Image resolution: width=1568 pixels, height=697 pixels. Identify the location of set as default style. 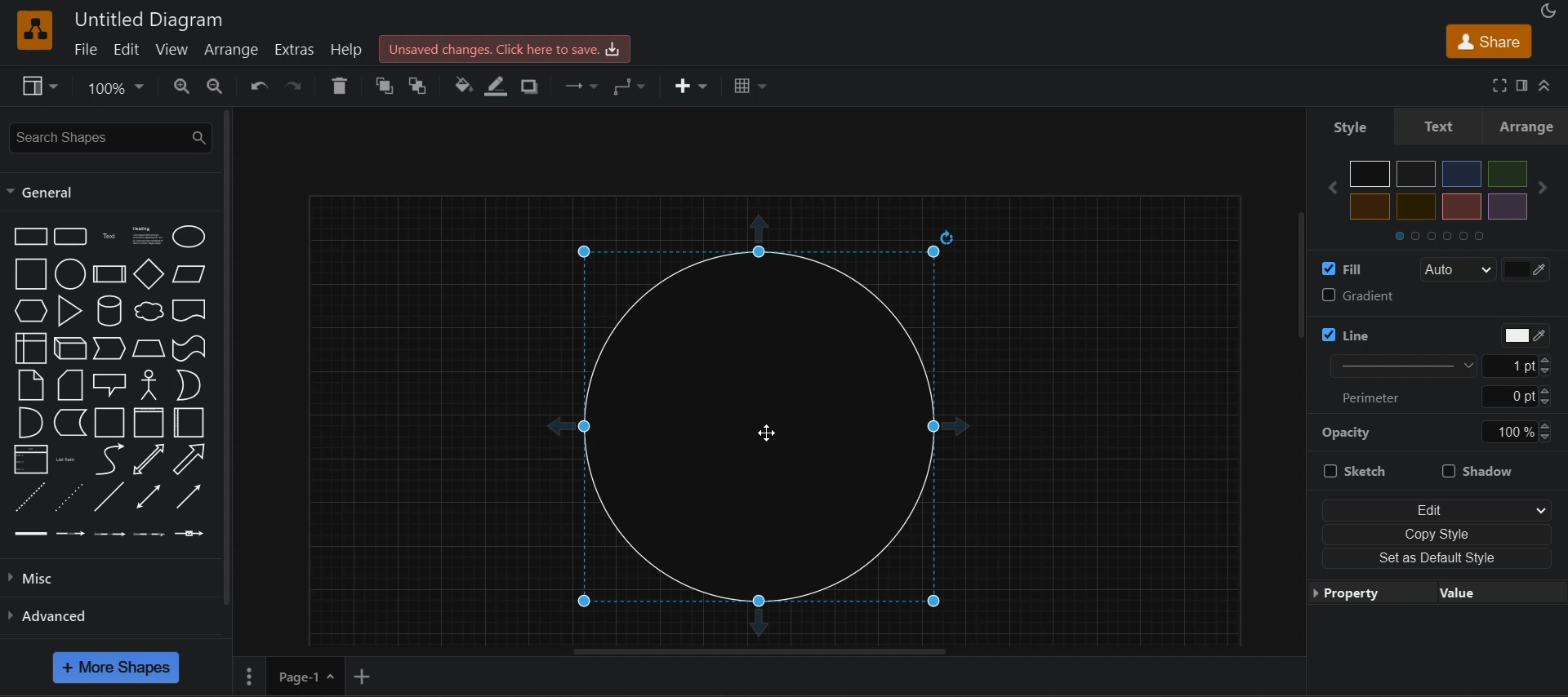
(1435, 557).